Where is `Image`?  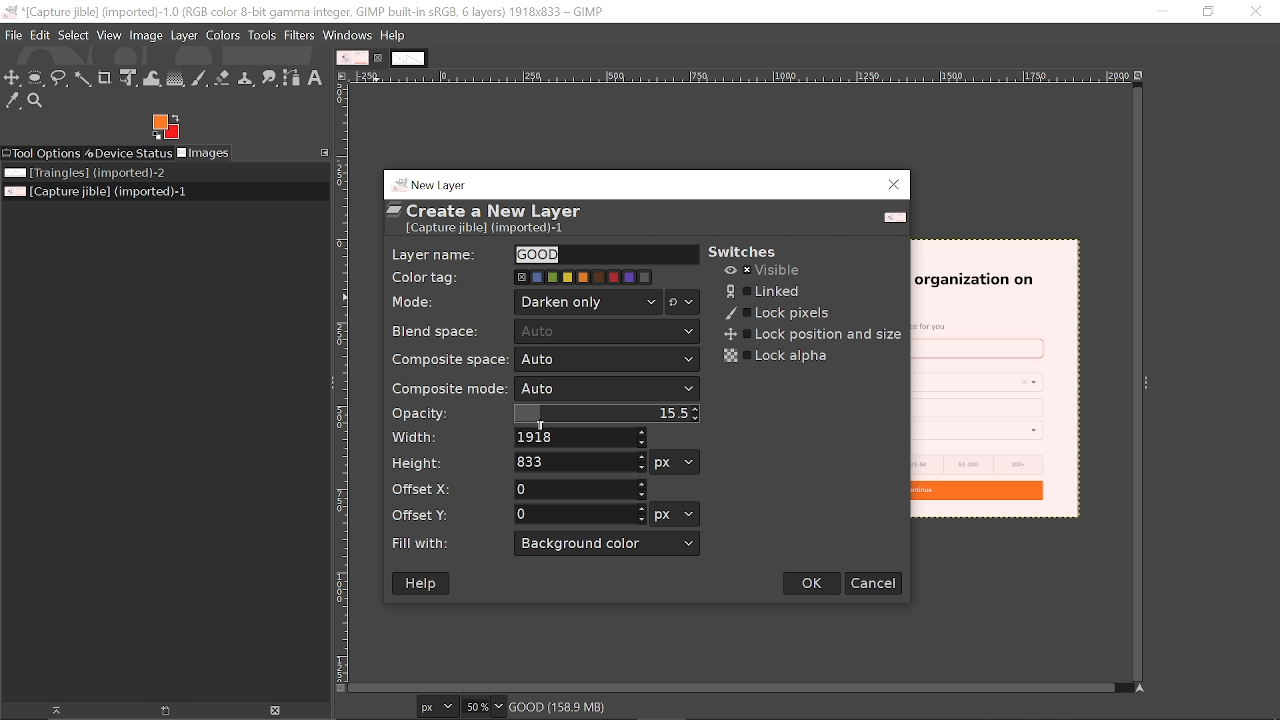
Image is located at coordinates (147, 35).